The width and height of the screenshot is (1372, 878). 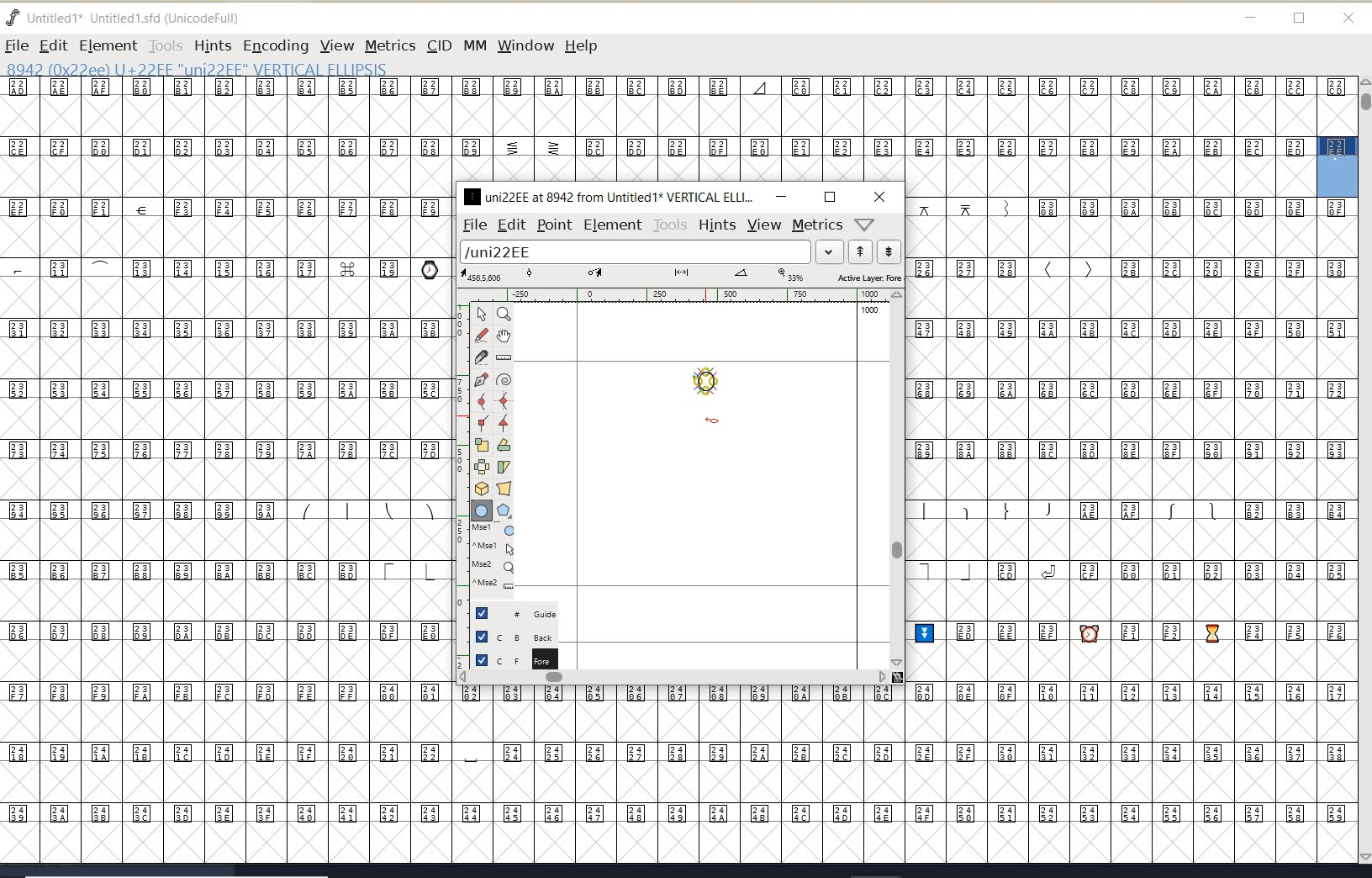 What do you see at coordinates (165, 45) in the screenshot?
I see `TOOLS` at bounding box center [165, 45].